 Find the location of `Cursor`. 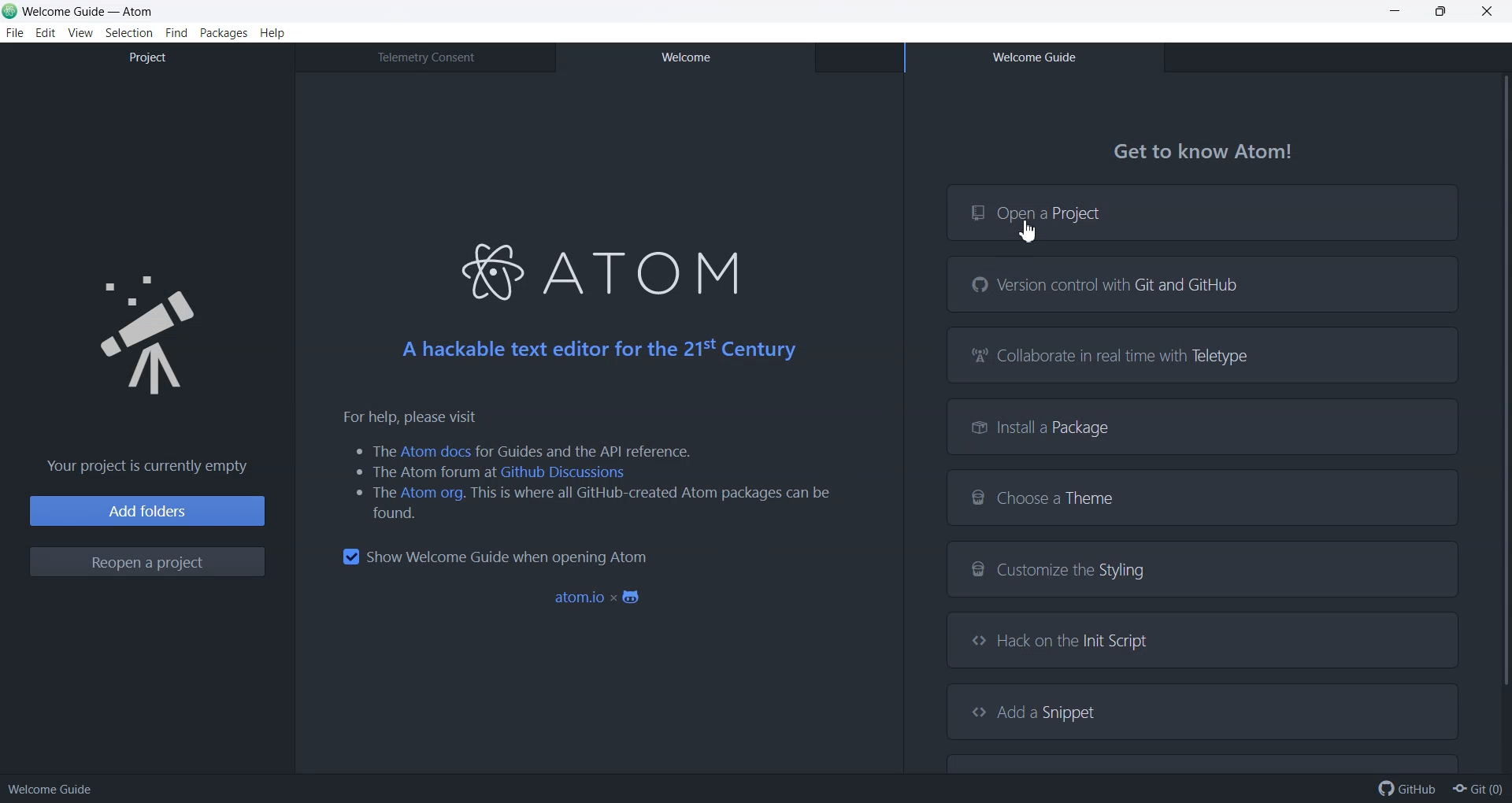

Cursor is located at coordinates (1030, 231).